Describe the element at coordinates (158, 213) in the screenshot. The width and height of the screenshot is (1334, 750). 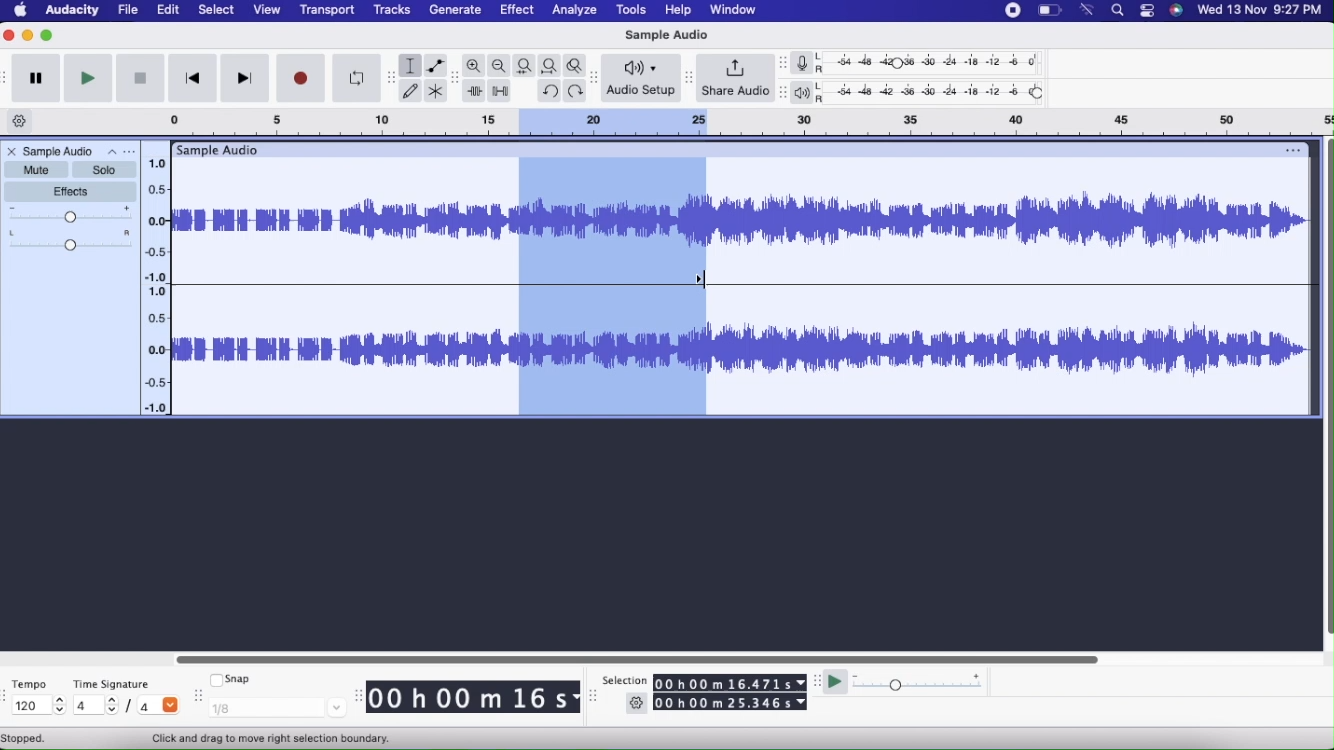
I see `audio level` at that location.